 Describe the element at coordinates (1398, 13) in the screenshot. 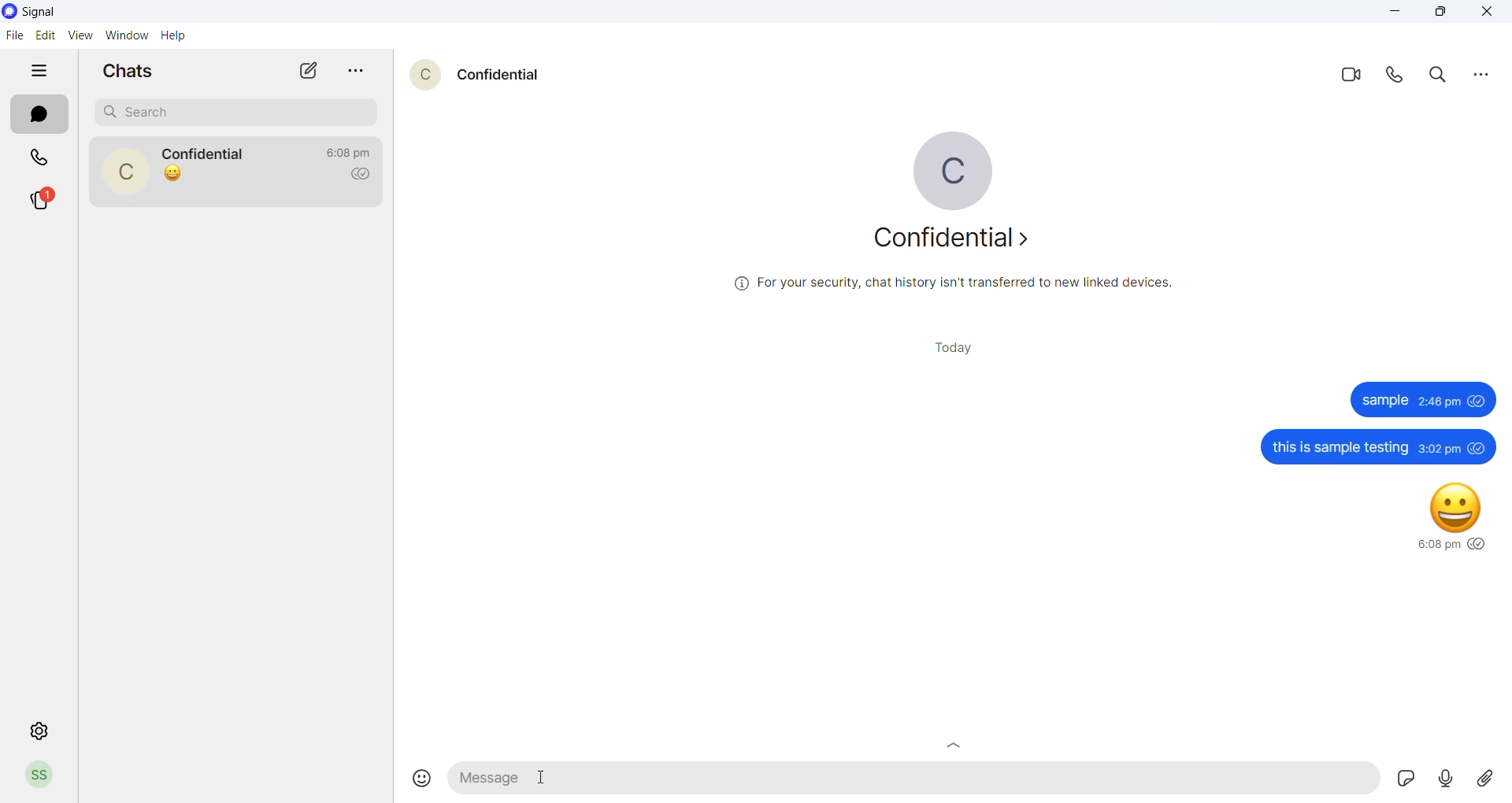

I see `minimize` at that location.